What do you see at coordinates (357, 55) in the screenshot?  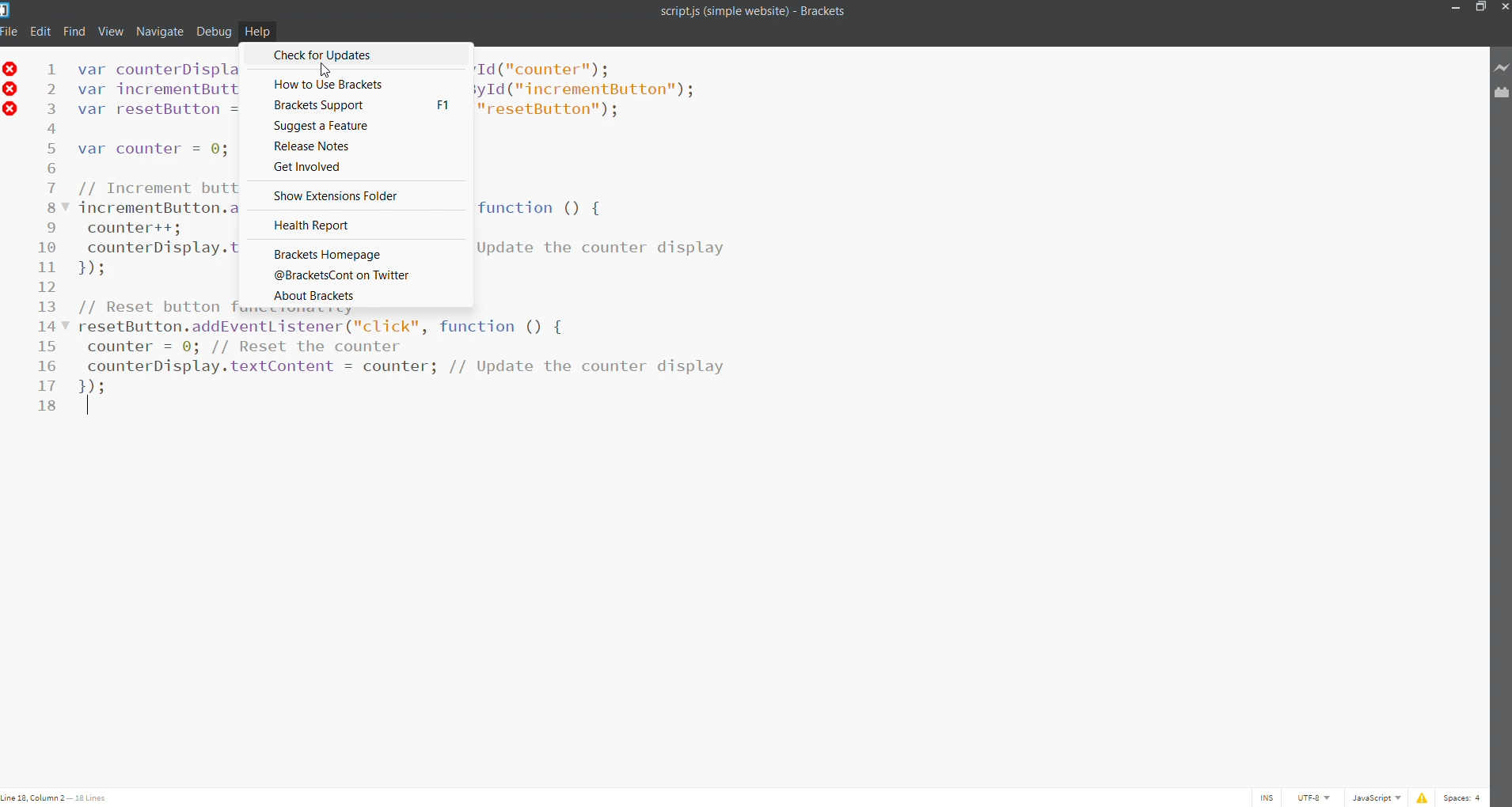 I see `check for updates` at bounding box center [357, 55].